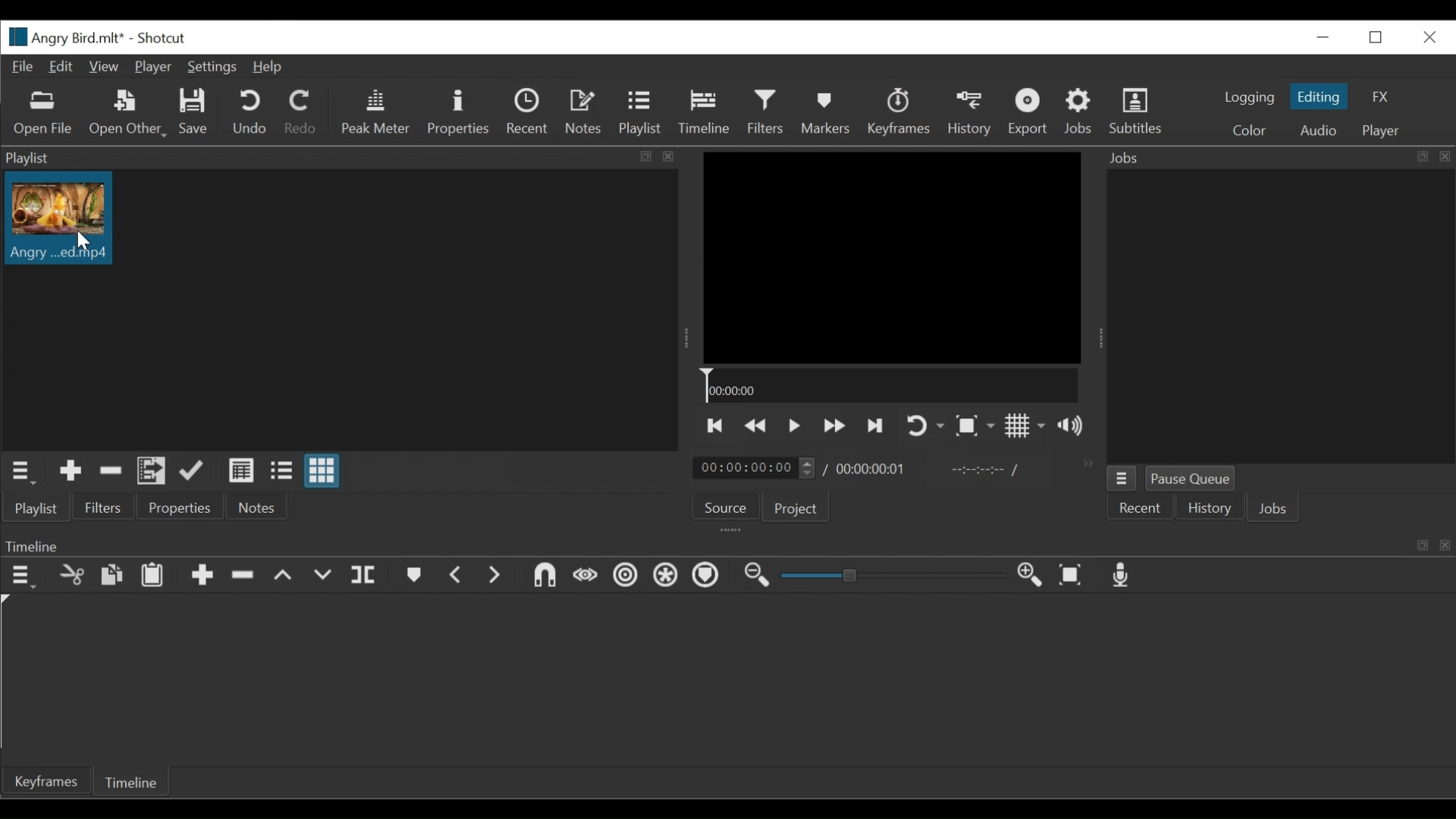 Image resolution: width=1456 pixels, height=819 pixels. Describe the element at coordinates (413, 575) in the screenshot. I see `Markers` at that location.